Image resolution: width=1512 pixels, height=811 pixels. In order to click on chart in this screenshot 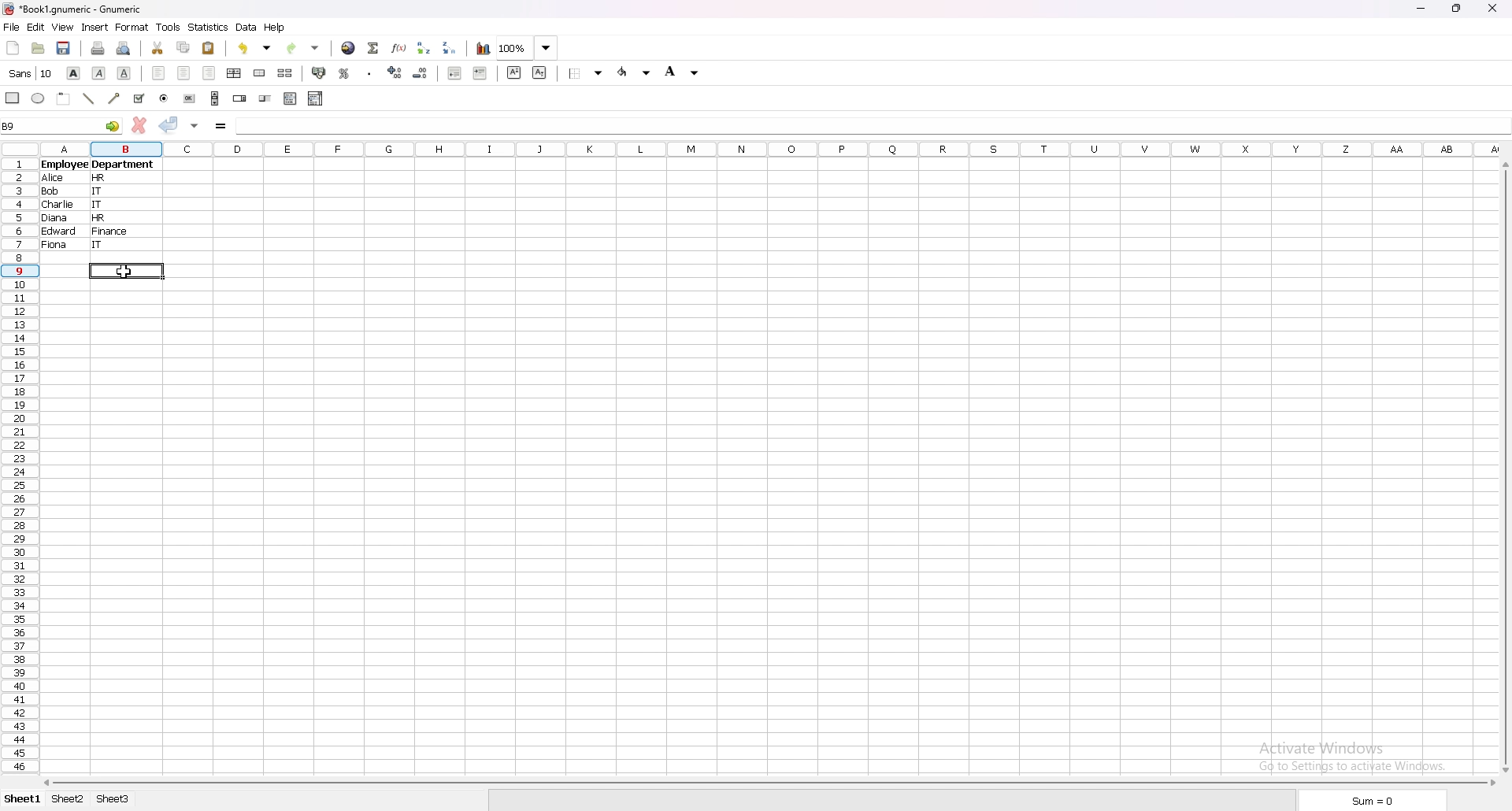, I will do `click(484, 48)`.